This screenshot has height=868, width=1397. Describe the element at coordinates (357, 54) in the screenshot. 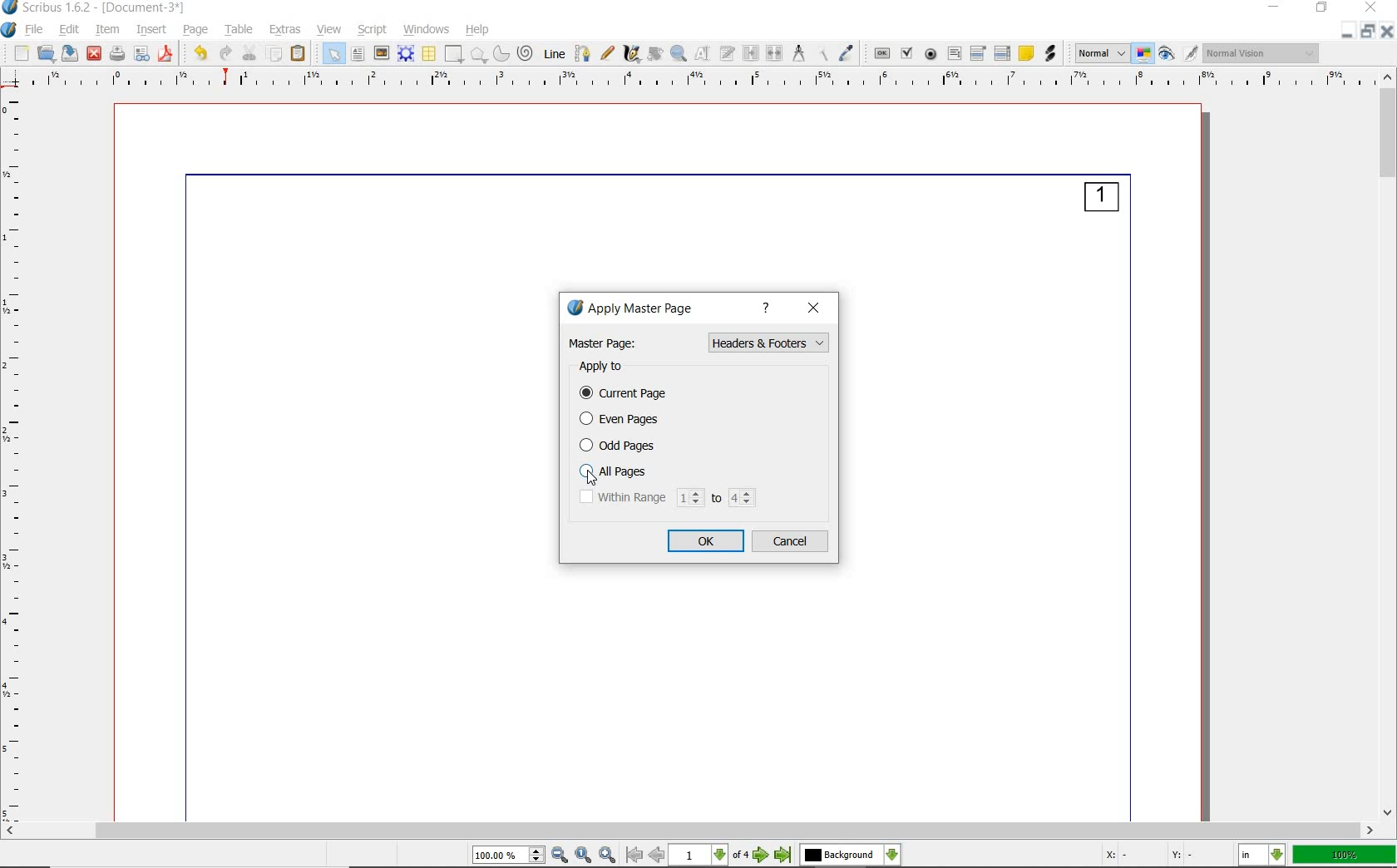

I see `text frame` at that location.